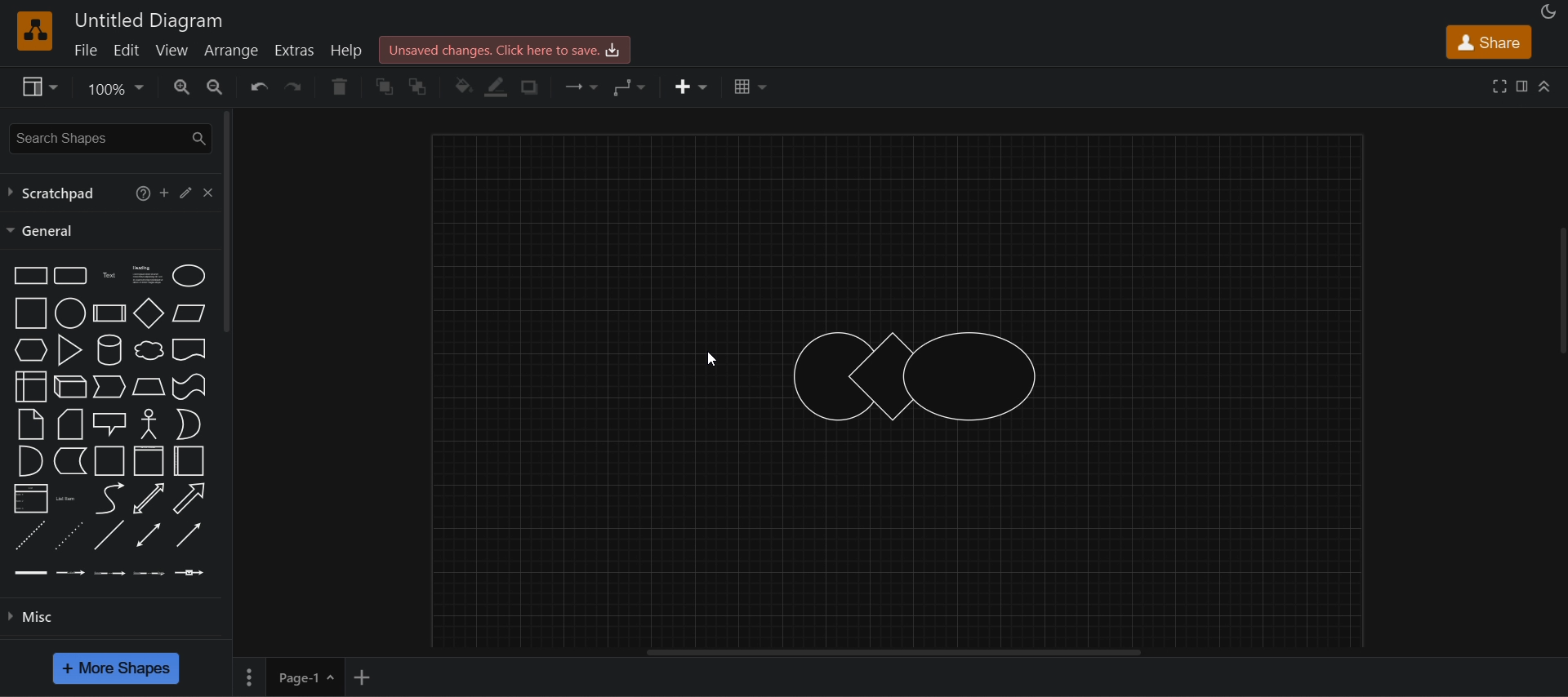 This screenshot has width=1568, height=697. I want to click on Vertical container, so click(149, 461).